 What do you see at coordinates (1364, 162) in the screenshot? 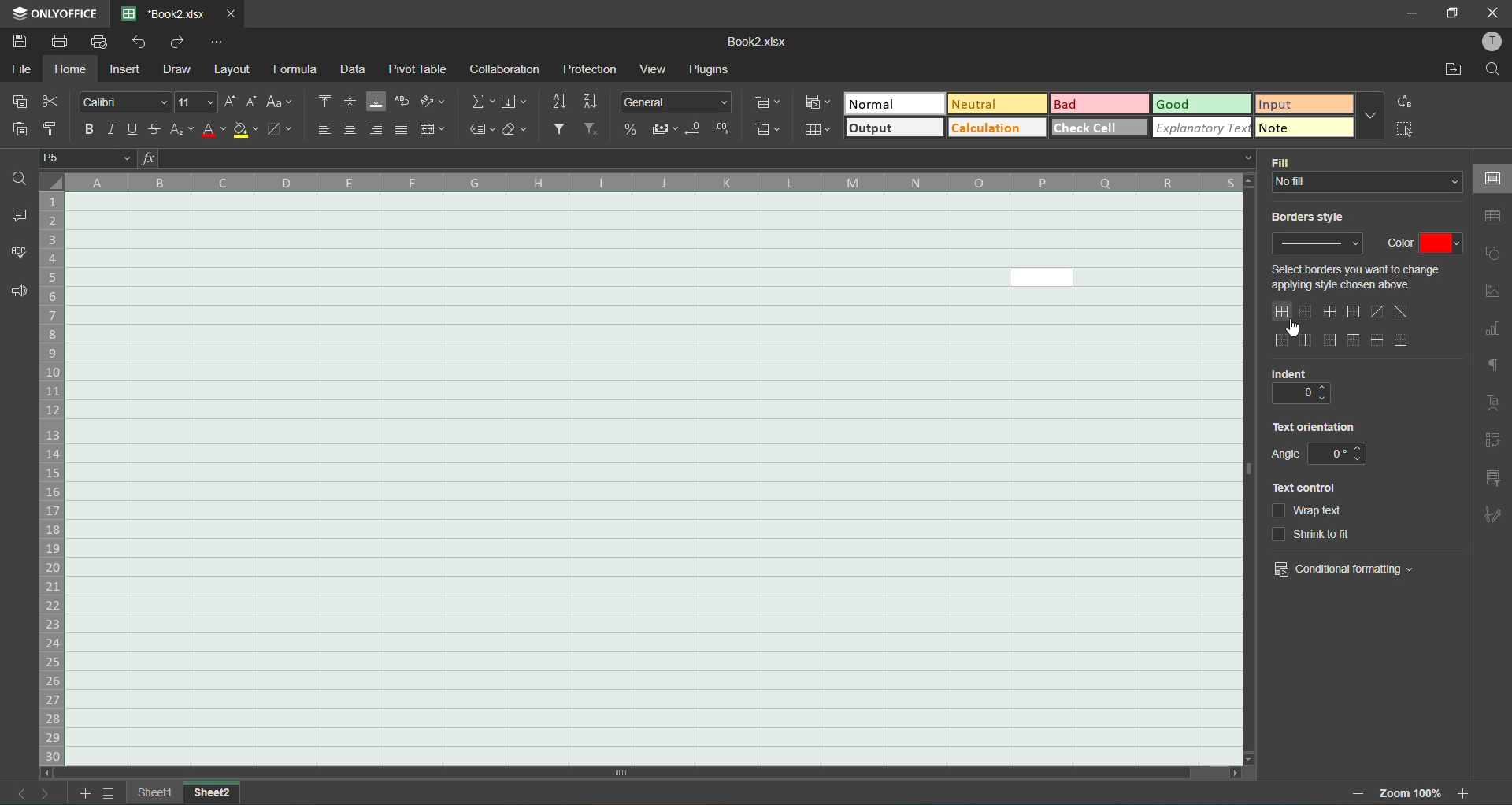
I see `fill` at bounding box center [1364, 162].